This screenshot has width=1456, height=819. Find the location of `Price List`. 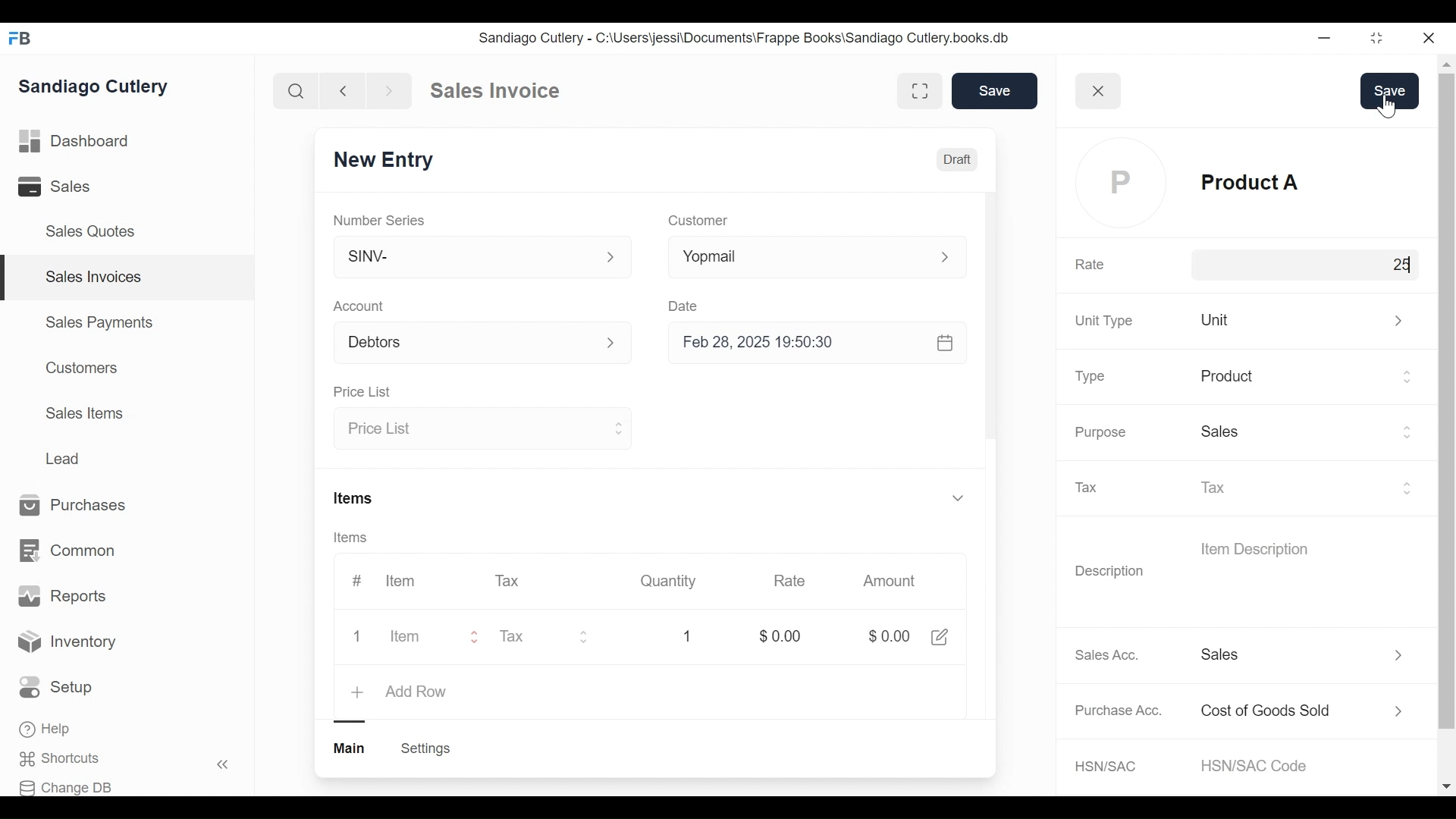

Price List is located at coordinates (484, 429).